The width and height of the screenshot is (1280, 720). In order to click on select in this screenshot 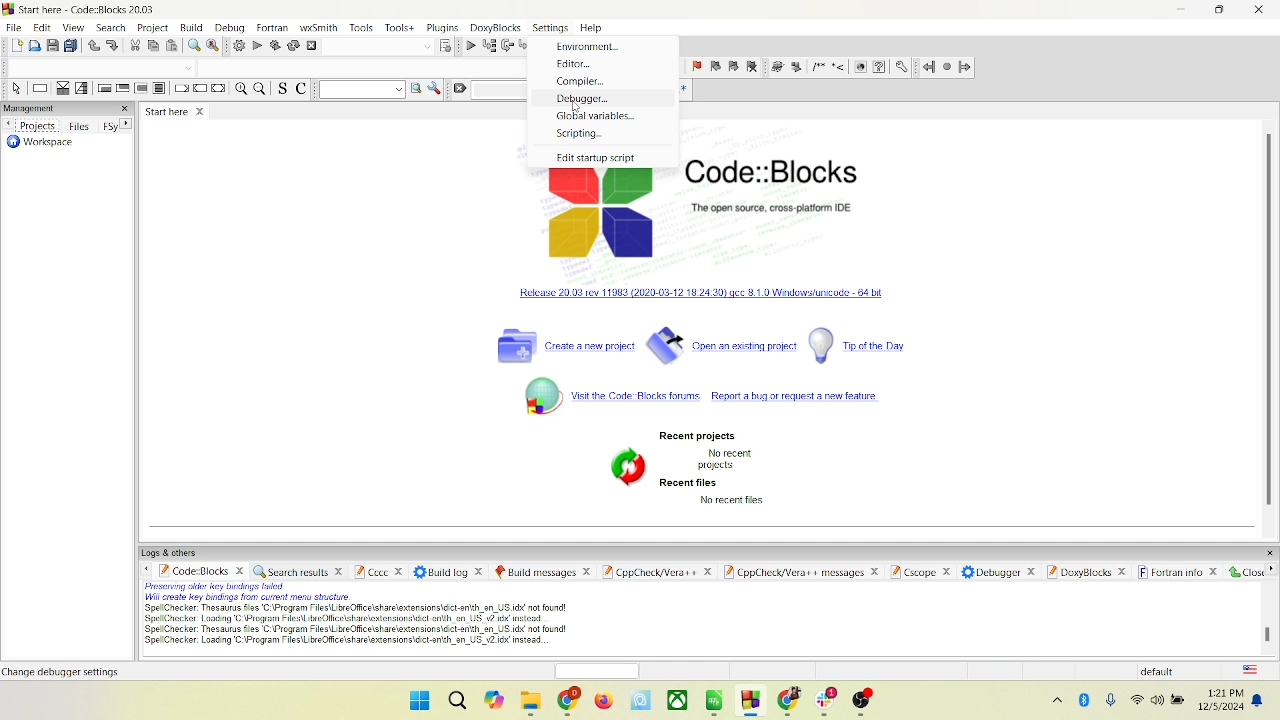, I will do `click(15, 88)`.